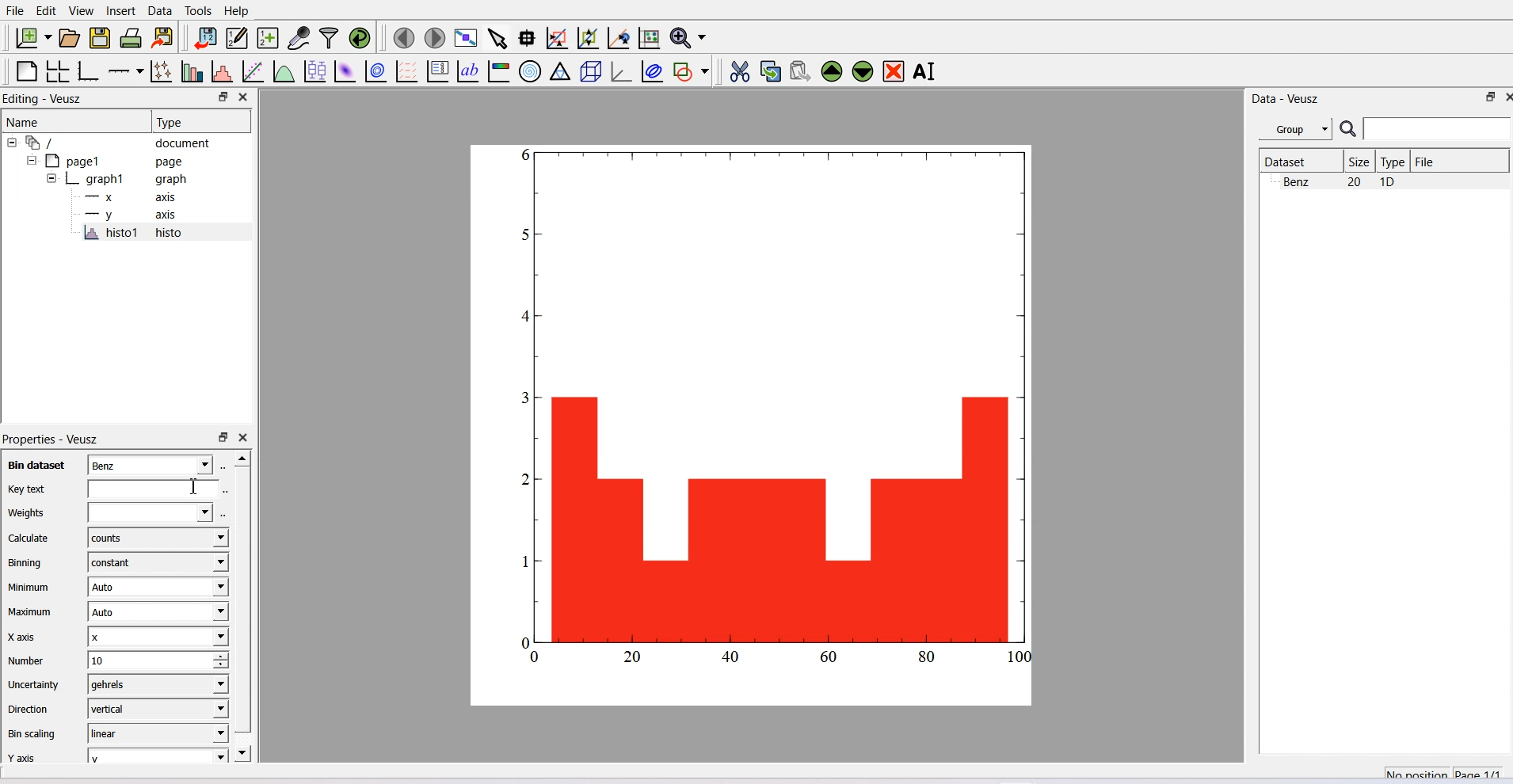  What do you see at coordinates (163, 38) in the screenshot?
I see `Export to graphics format` at bounding box center [163, 38].